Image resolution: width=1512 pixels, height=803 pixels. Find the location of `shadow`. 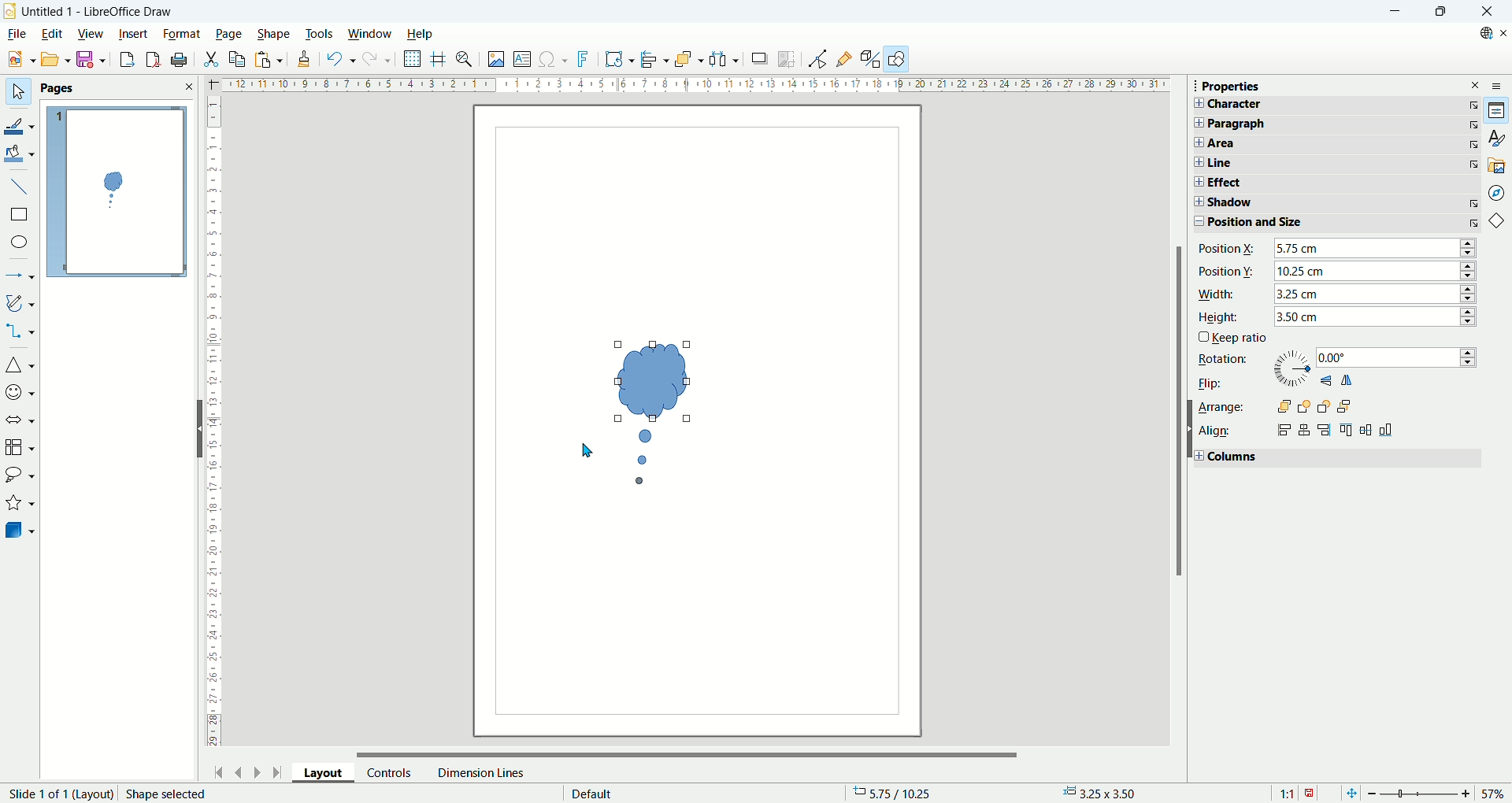

shadow is located at coordinates (759, 59).